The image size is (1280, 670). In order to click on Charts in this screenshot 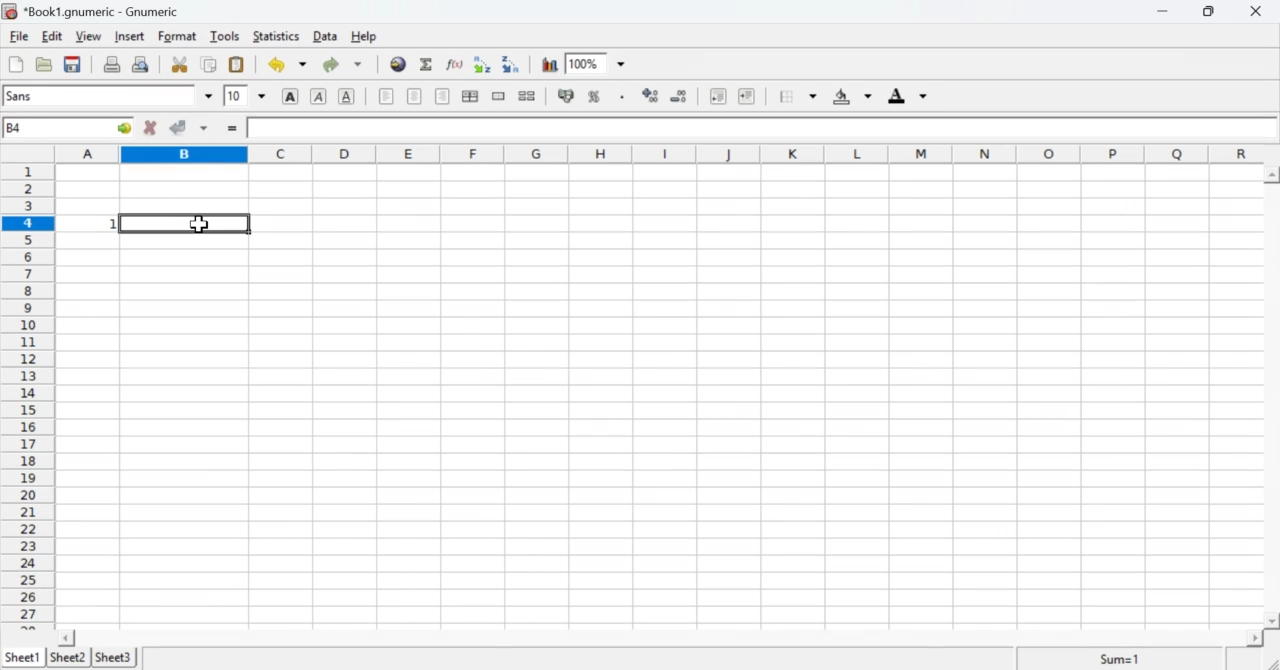, I will do `click(549, 65)`.